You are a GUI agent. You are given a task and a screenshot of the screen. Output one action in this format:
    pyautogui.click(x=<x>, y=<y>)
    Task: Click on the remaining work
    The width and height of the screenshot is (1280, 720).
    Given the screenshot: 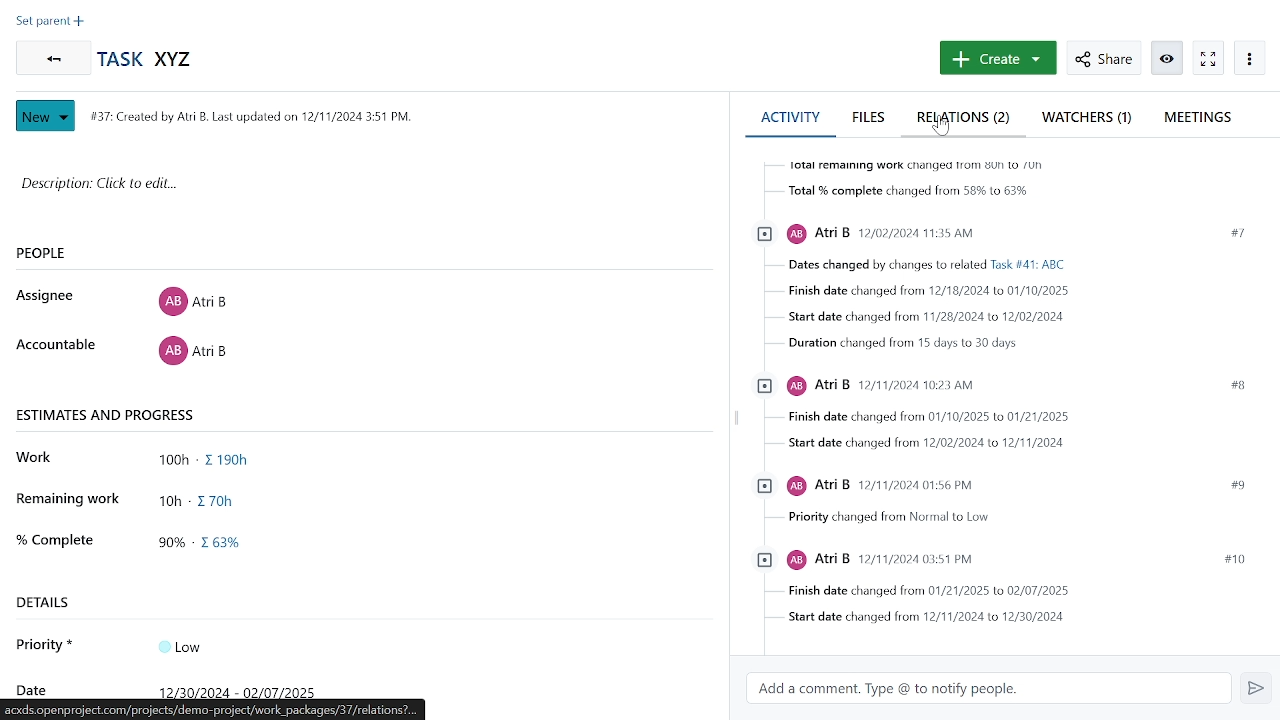 What is the action you would take?
    pyautogui.click(x=69, y=498)
    